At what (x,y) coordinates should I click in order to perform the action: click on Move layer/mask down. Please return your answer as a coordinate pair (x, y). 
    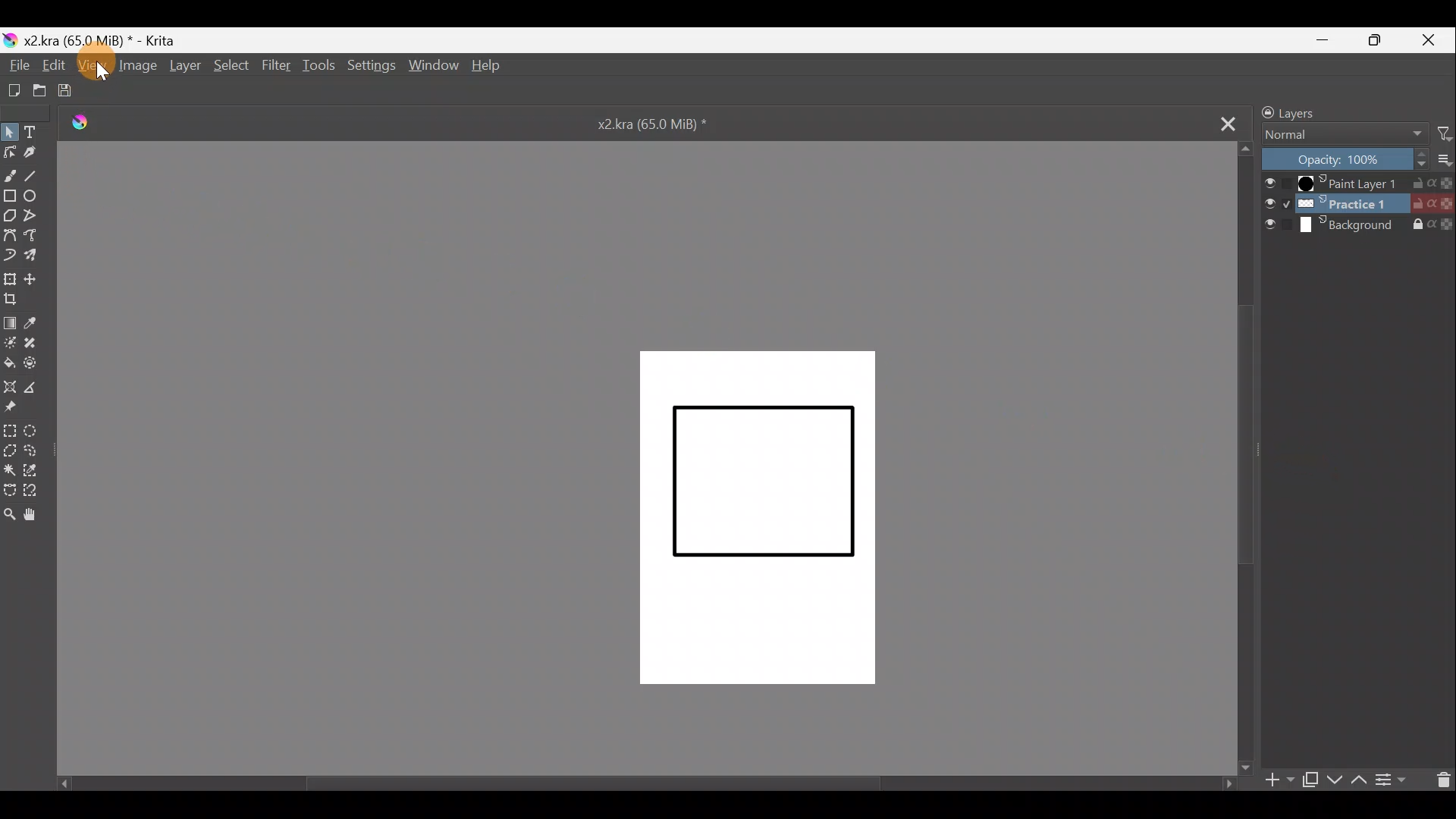
    Looking at the image, I should click on (1335, 780).